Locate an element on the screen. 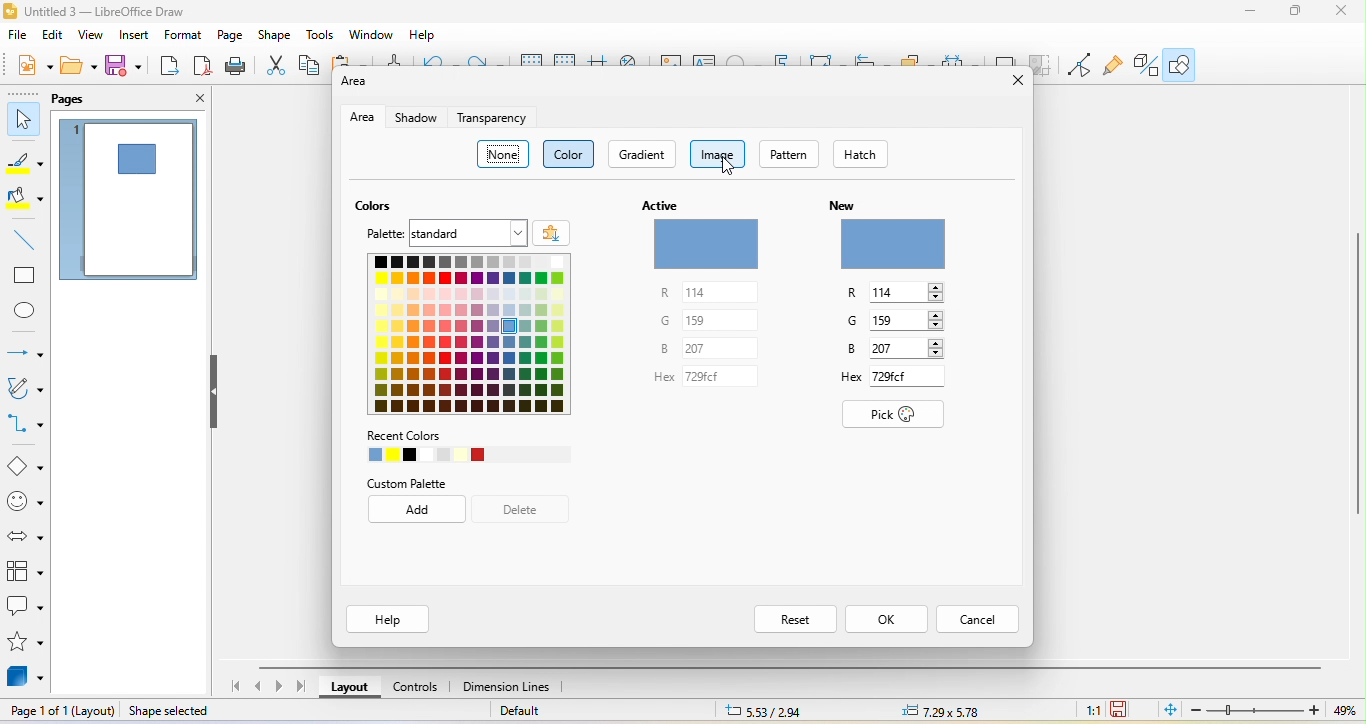 The width and height of the screenshot is (1366, 724). default is located at coordinates (549, 711).